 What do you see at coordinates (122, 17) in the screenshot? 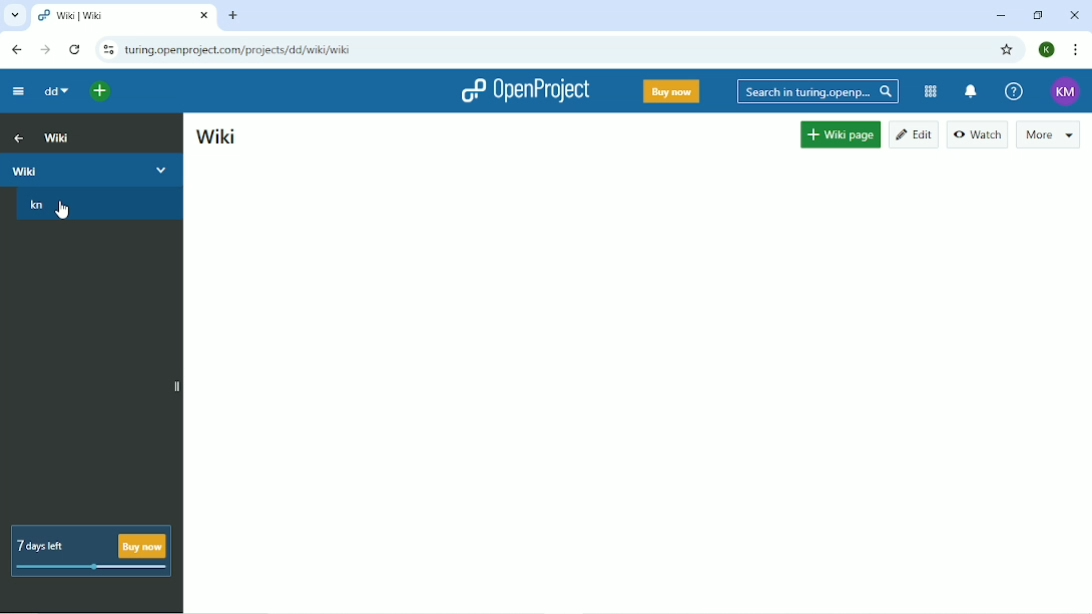
I see `Current tab` at bounding box center [122, 17].